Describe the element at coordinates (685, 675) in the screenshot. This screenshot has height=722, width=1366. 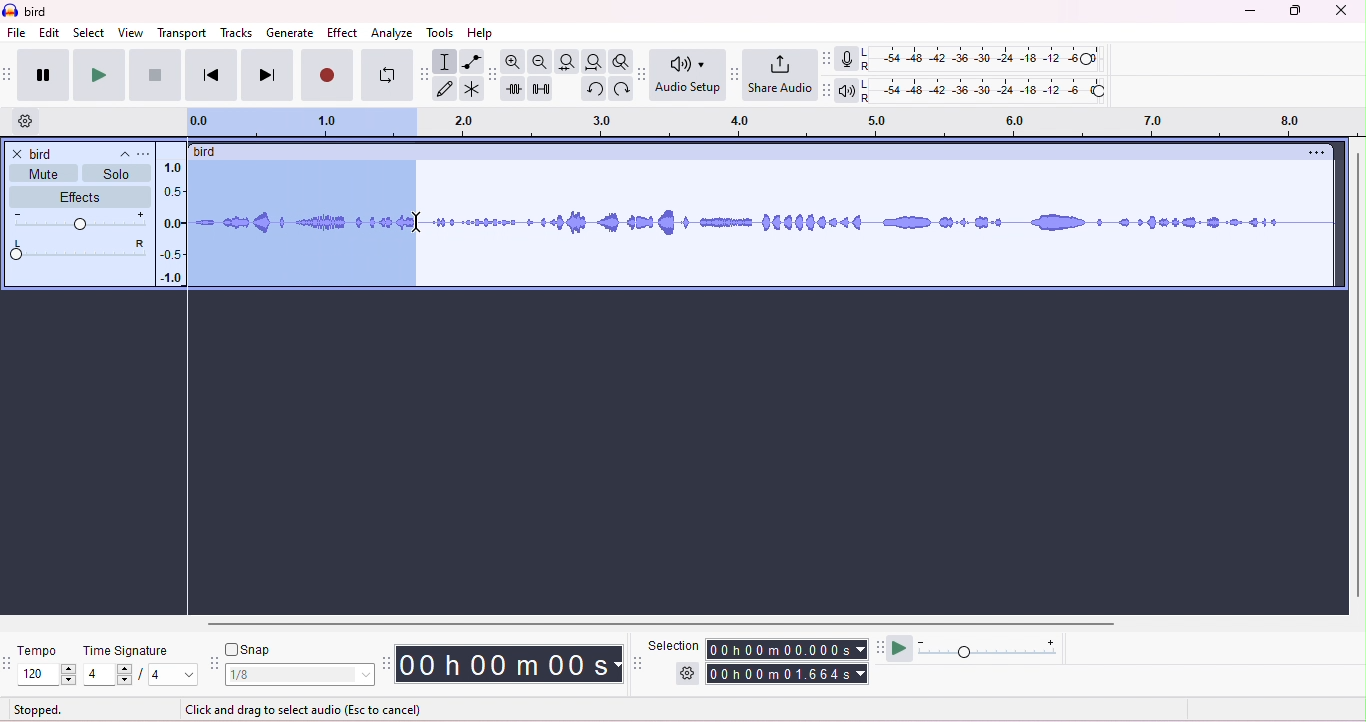
I see `selection options` at that location.